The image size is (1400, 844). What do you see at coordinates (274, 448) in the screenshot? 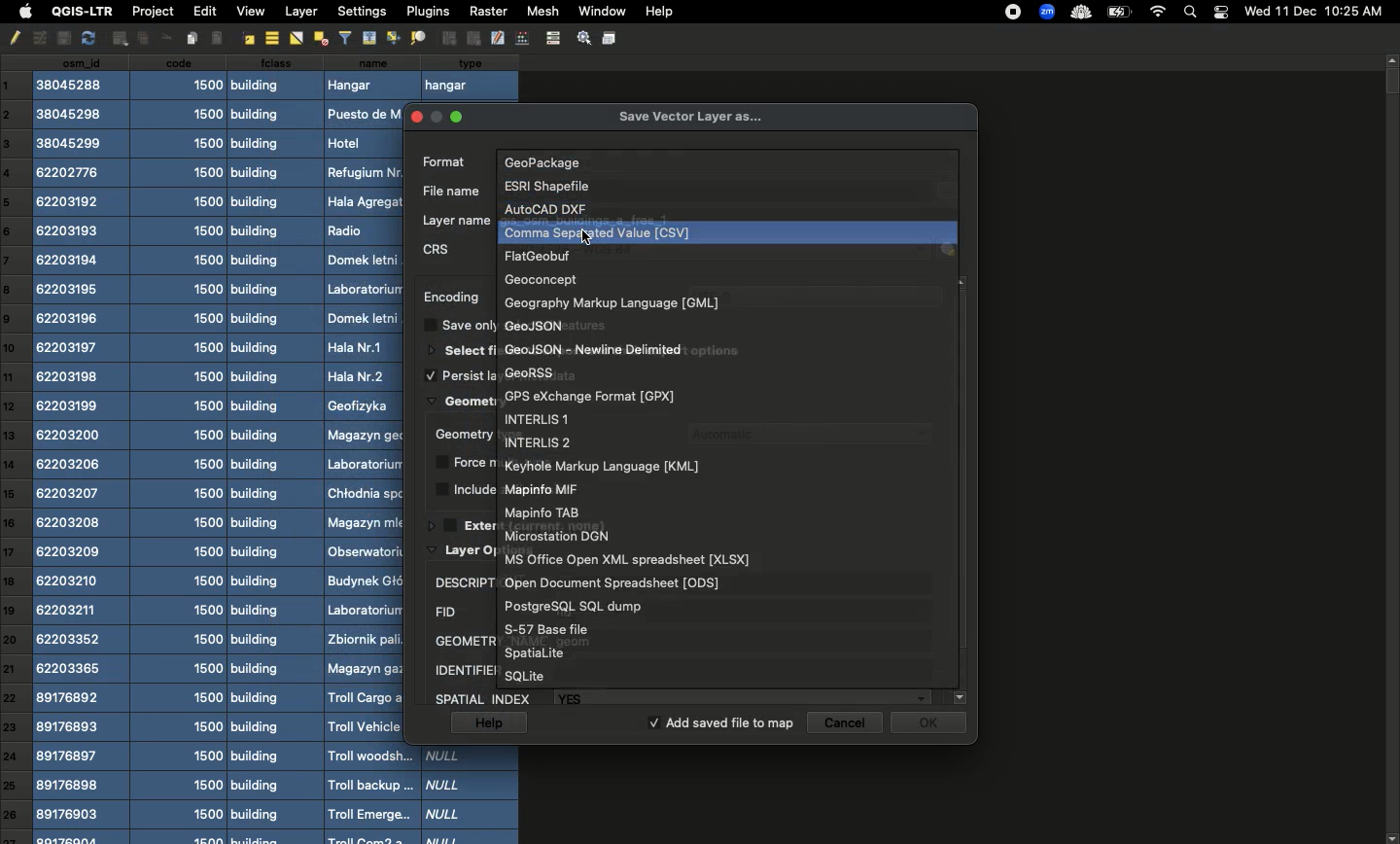
I see `class` at bounding box center [274, 448].